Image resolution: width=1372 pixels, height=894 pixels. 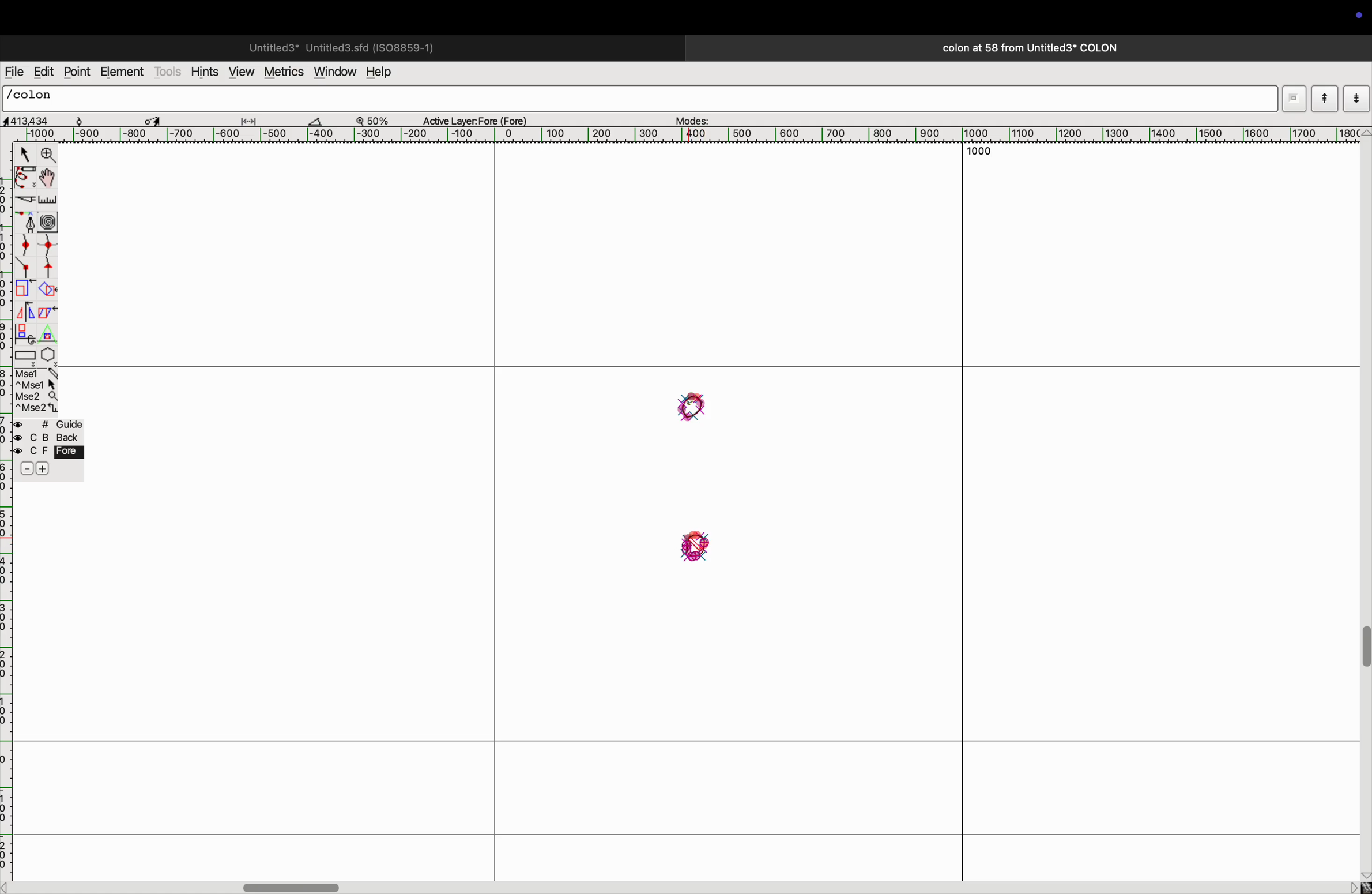 What do you see at coordinates (43, 72) in the screenshot?
I see `edit` at bounding box center [43, 72].